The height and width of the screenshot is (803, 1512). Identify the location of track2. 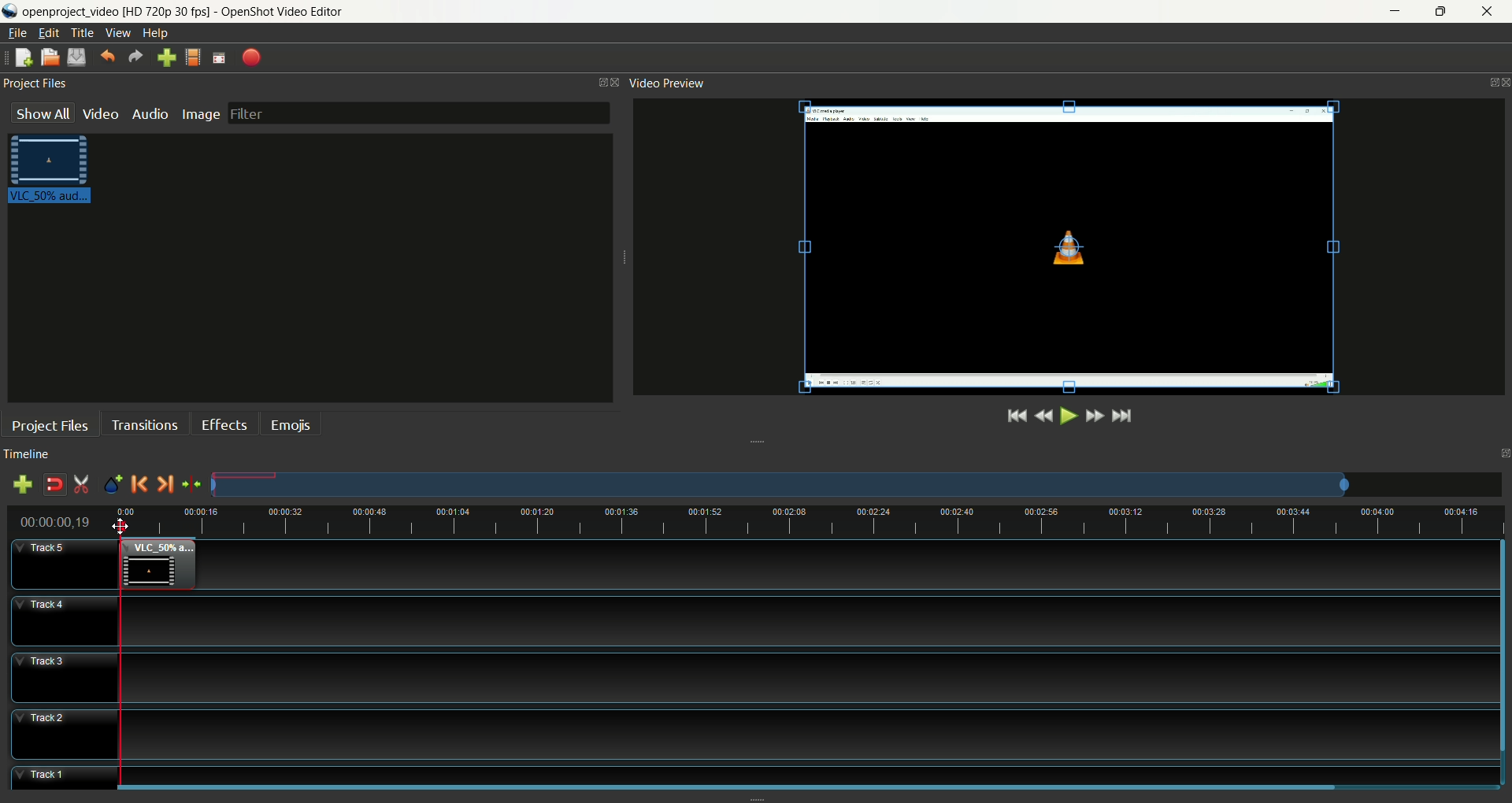
(65, 735).